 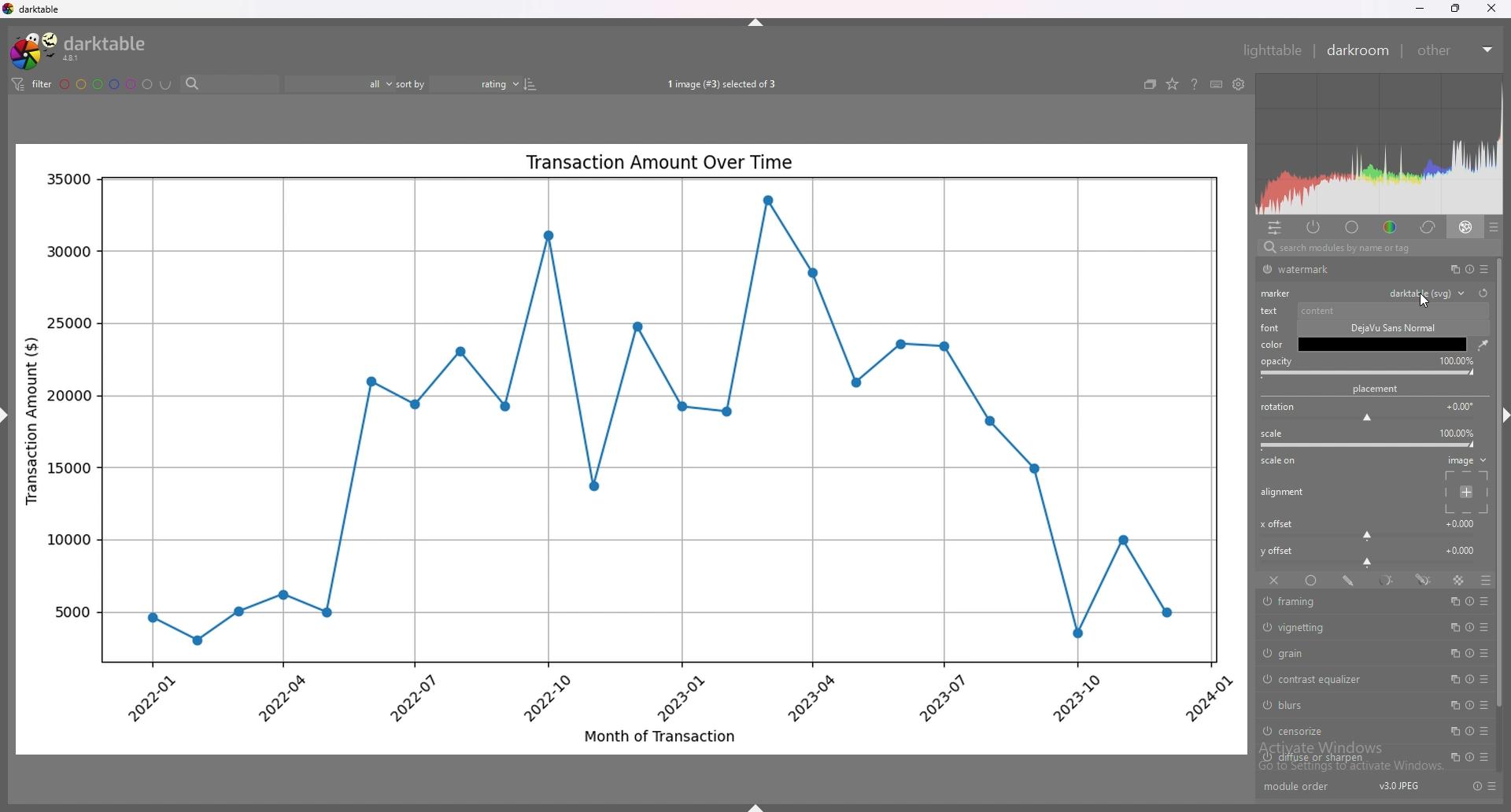 What do you see at coordinates (1274, 227) in the screenshot?
I see `quick access panel` at bounding box center [1274, 227].